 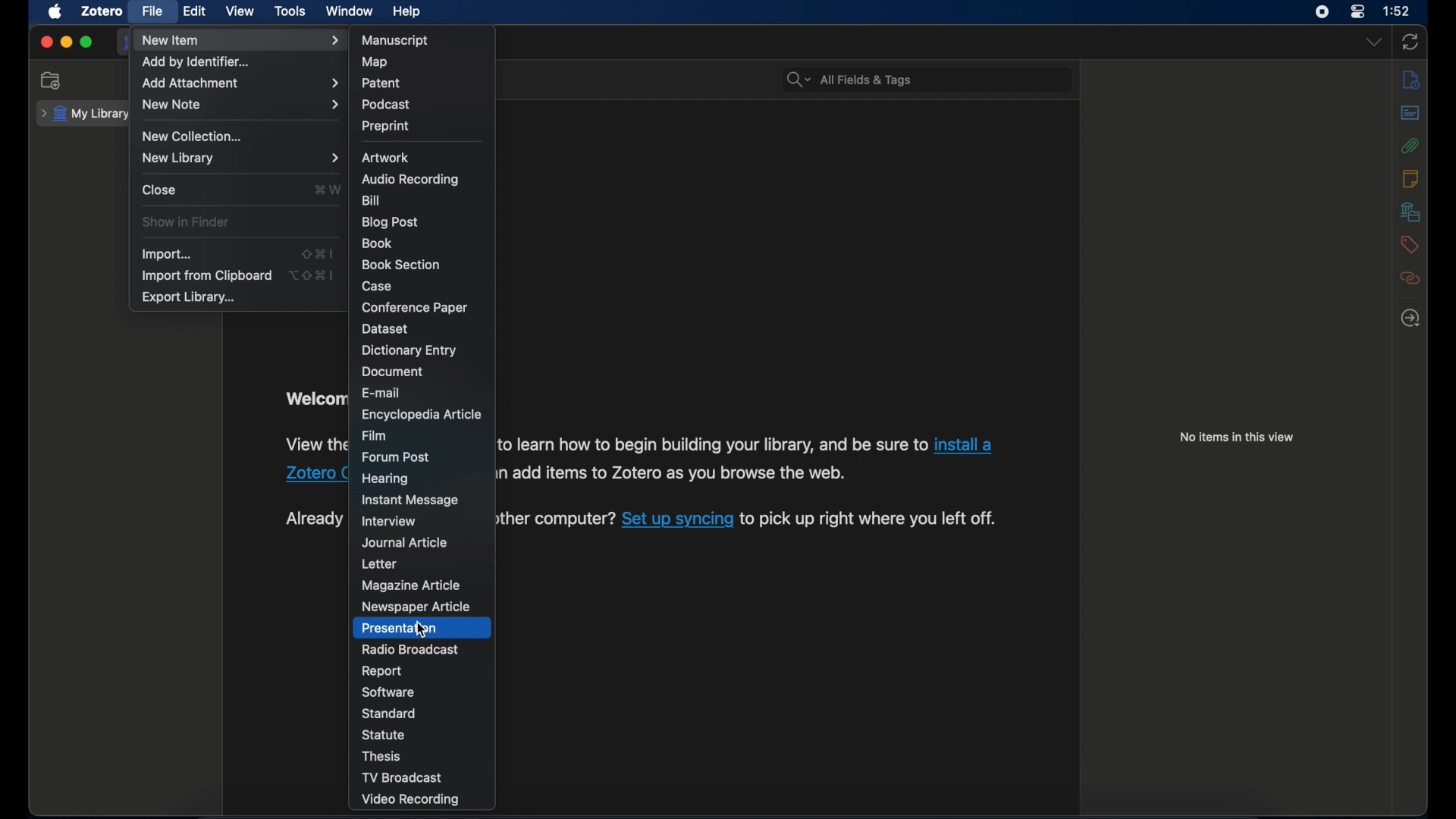 What do you see at coordinates (395, 39) in the screenshot?
I see `manuscript` at bounding box center [395, 39].